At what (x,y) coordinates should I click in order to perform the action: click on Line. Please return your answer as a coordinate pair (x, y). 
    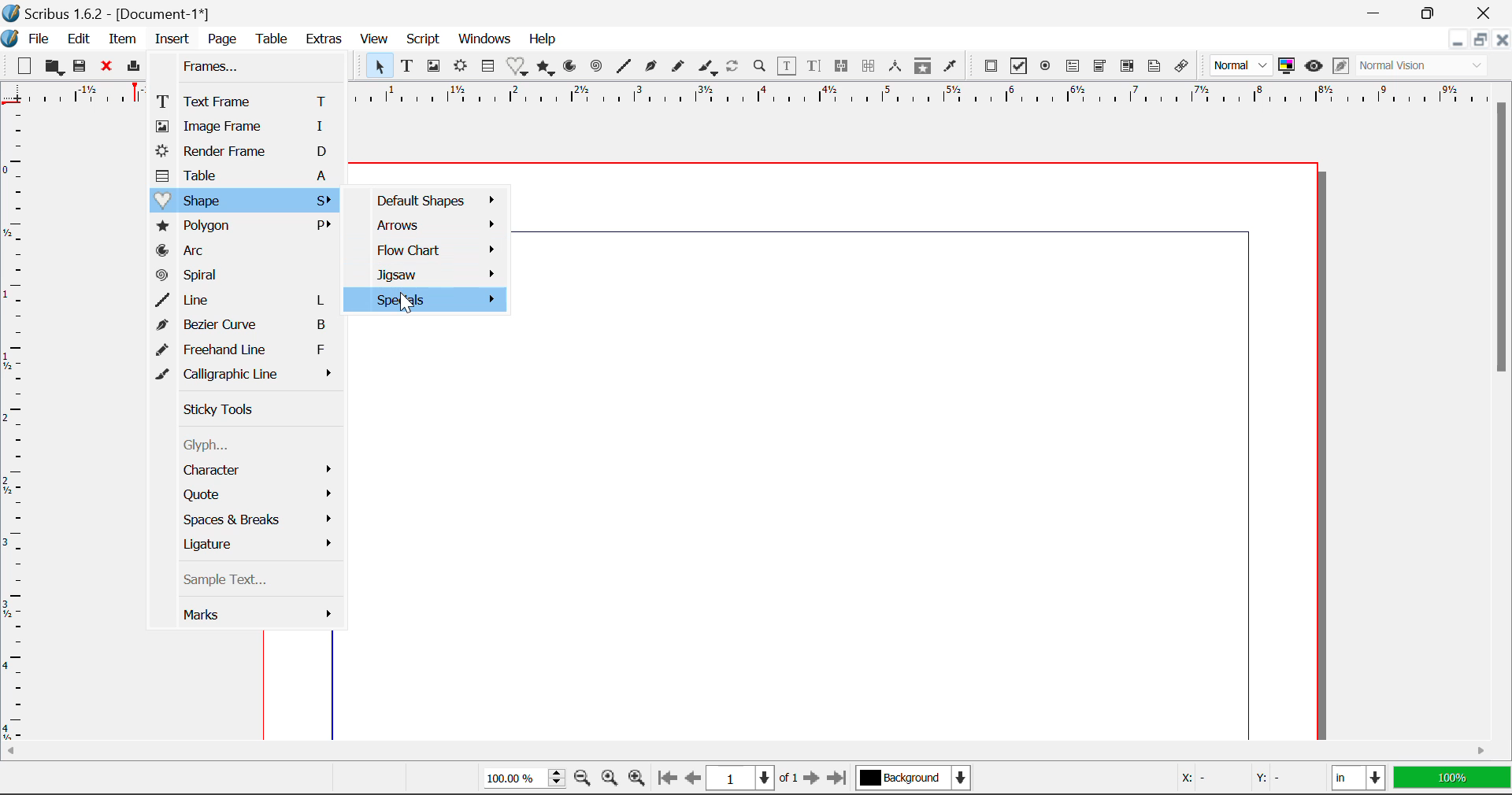
    Looking at the image, I should click on (246, 301).